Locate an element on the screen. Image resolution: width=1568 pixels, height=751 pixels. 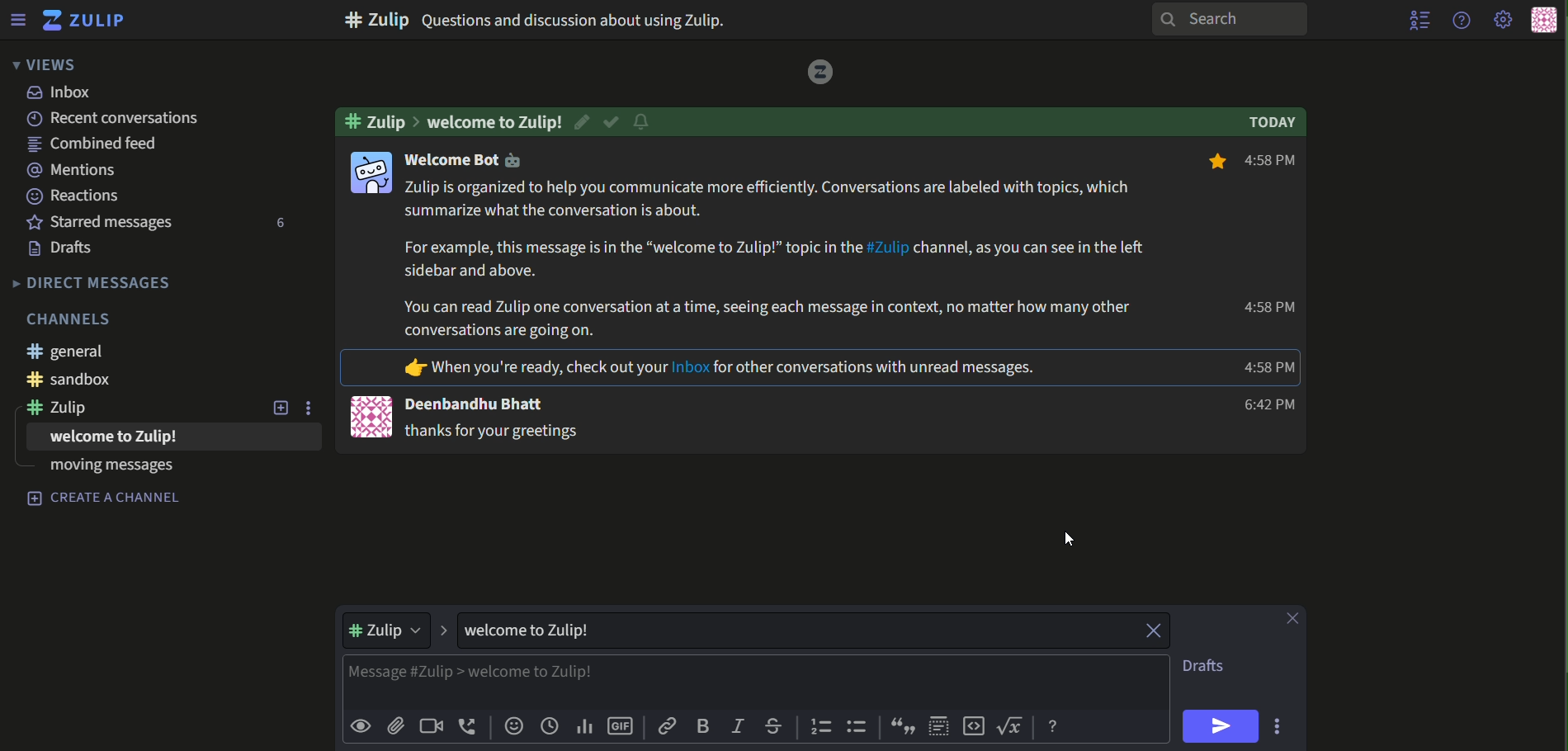
personal menu is located at coordinates (1543, 21).